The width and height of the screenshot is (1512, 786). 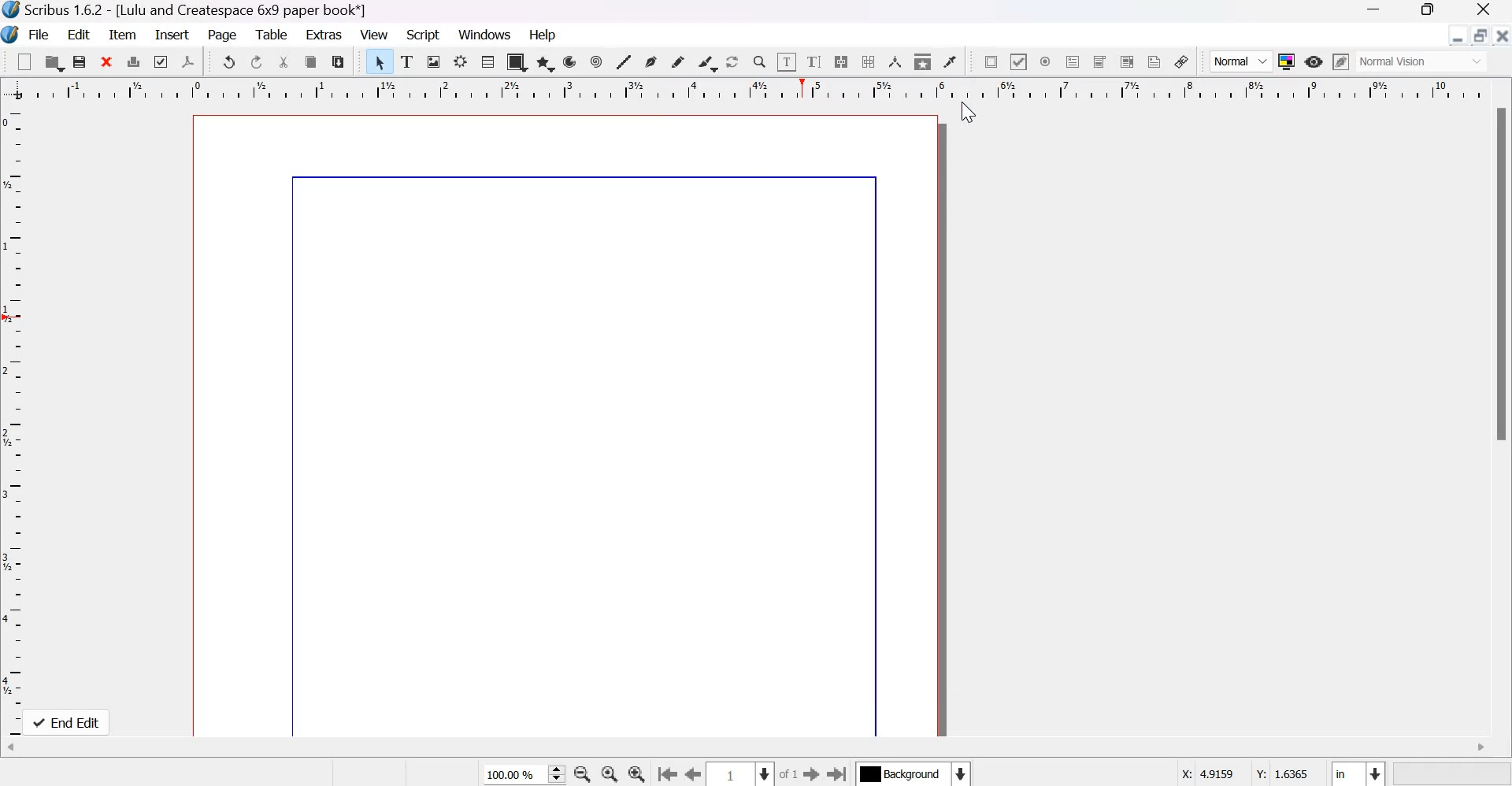 I want to click on Select the current page, so click(x=736, y=774).